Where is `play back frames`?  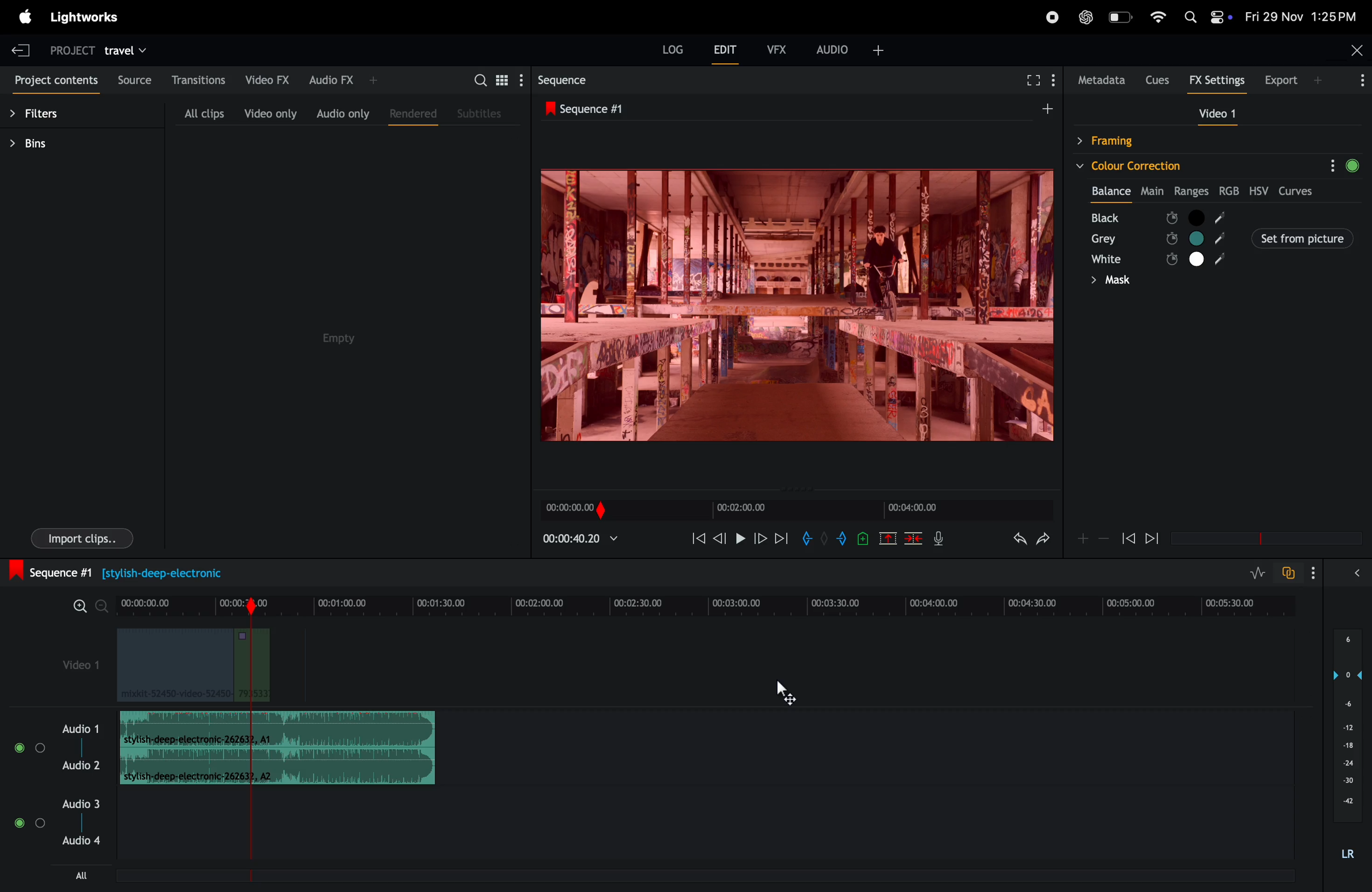
play back frames is located at coordinates (795, 305).